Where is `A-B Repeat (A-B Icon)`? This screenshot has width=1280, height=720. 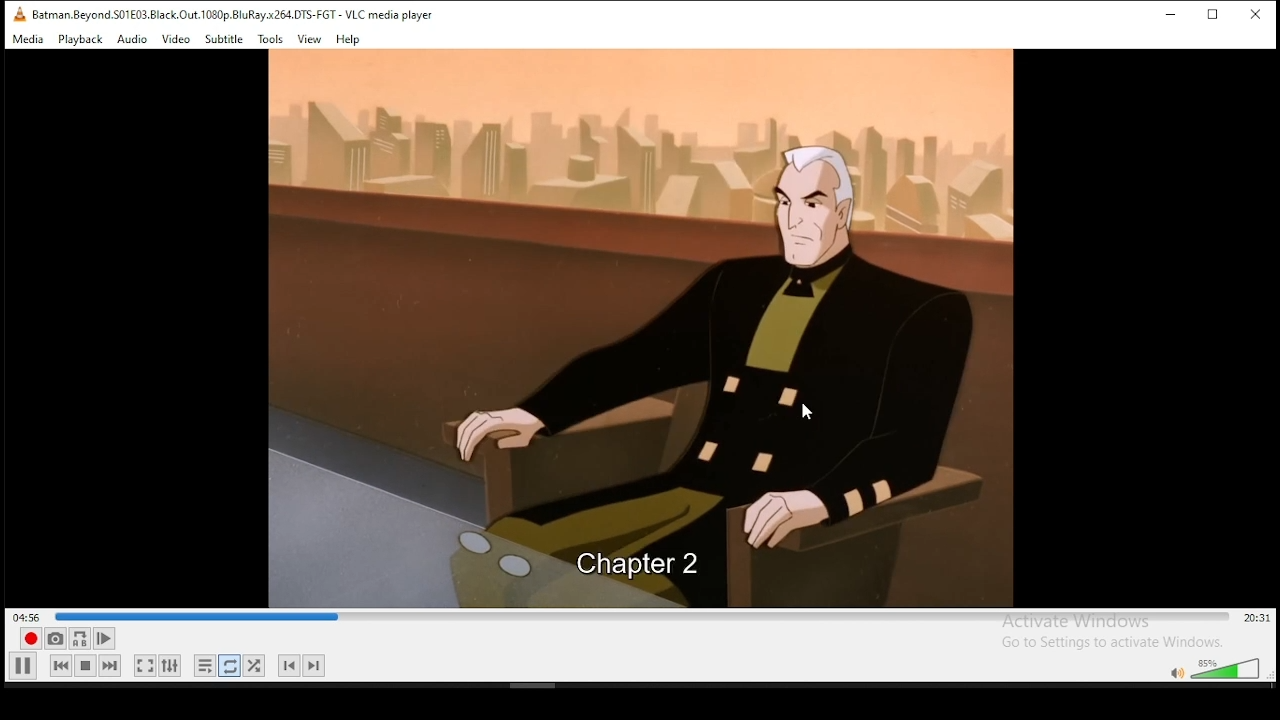 A-B Repeat (A-B Icon) is located at coordinates (81, 639).